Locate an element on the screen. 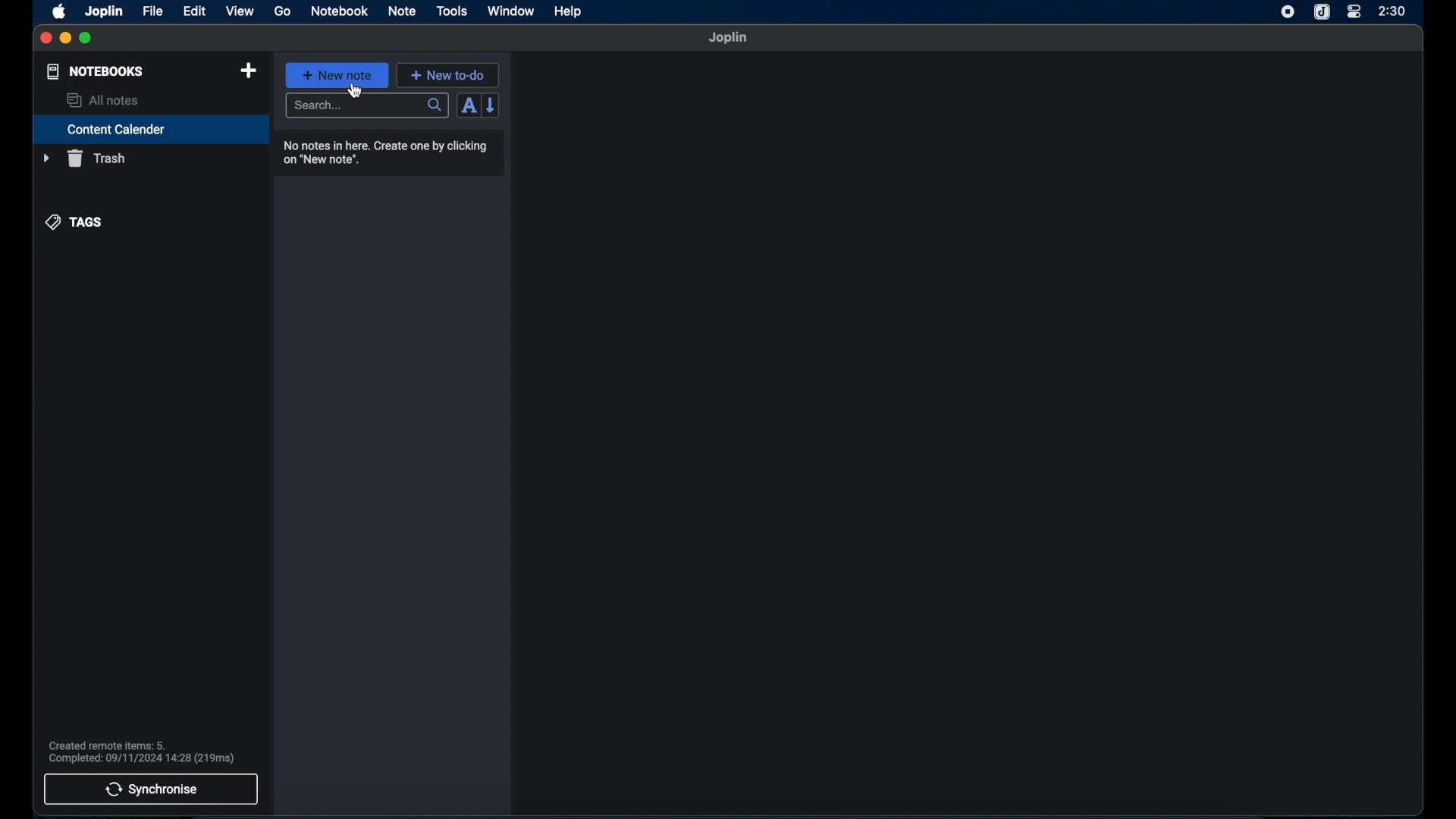  notebooks is located at coordinates (96, 71).